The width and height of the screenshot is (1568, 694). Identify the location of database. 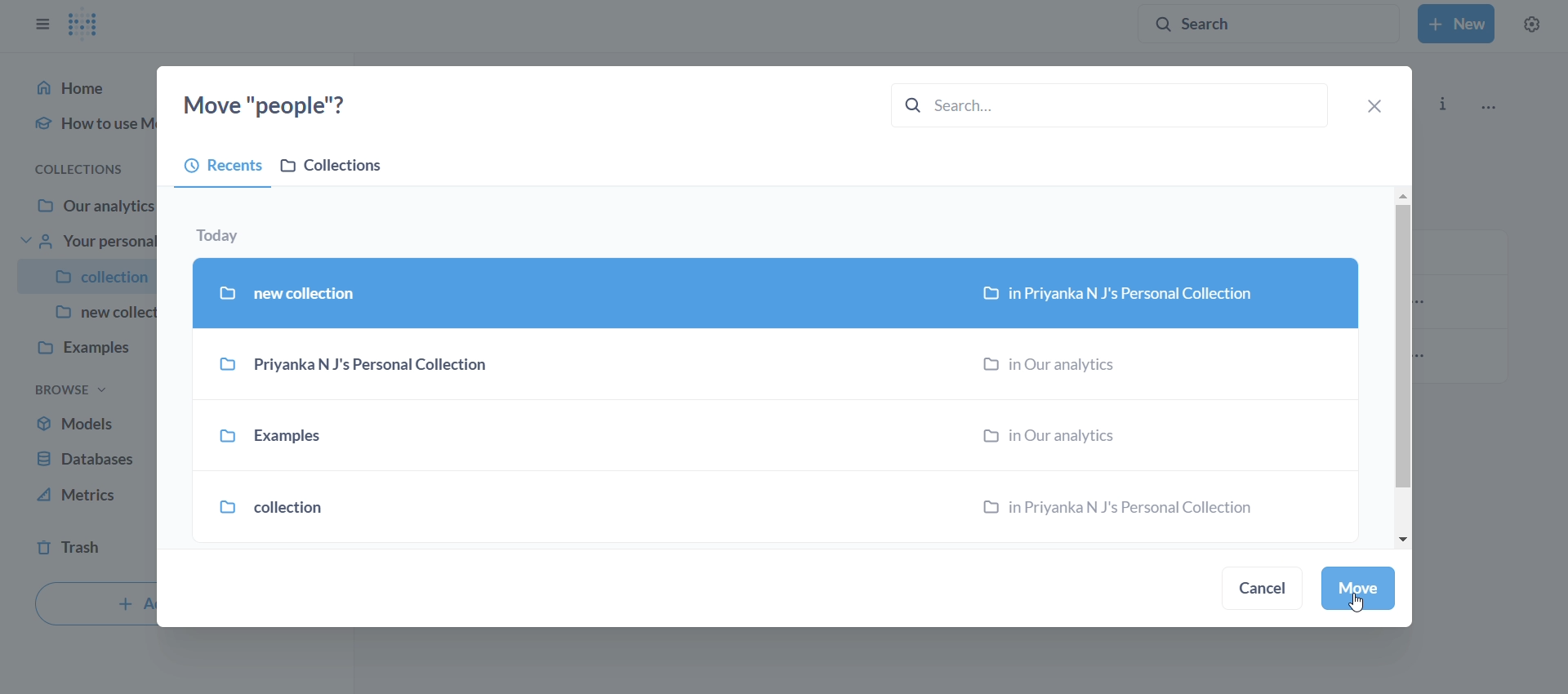
(80, 457).